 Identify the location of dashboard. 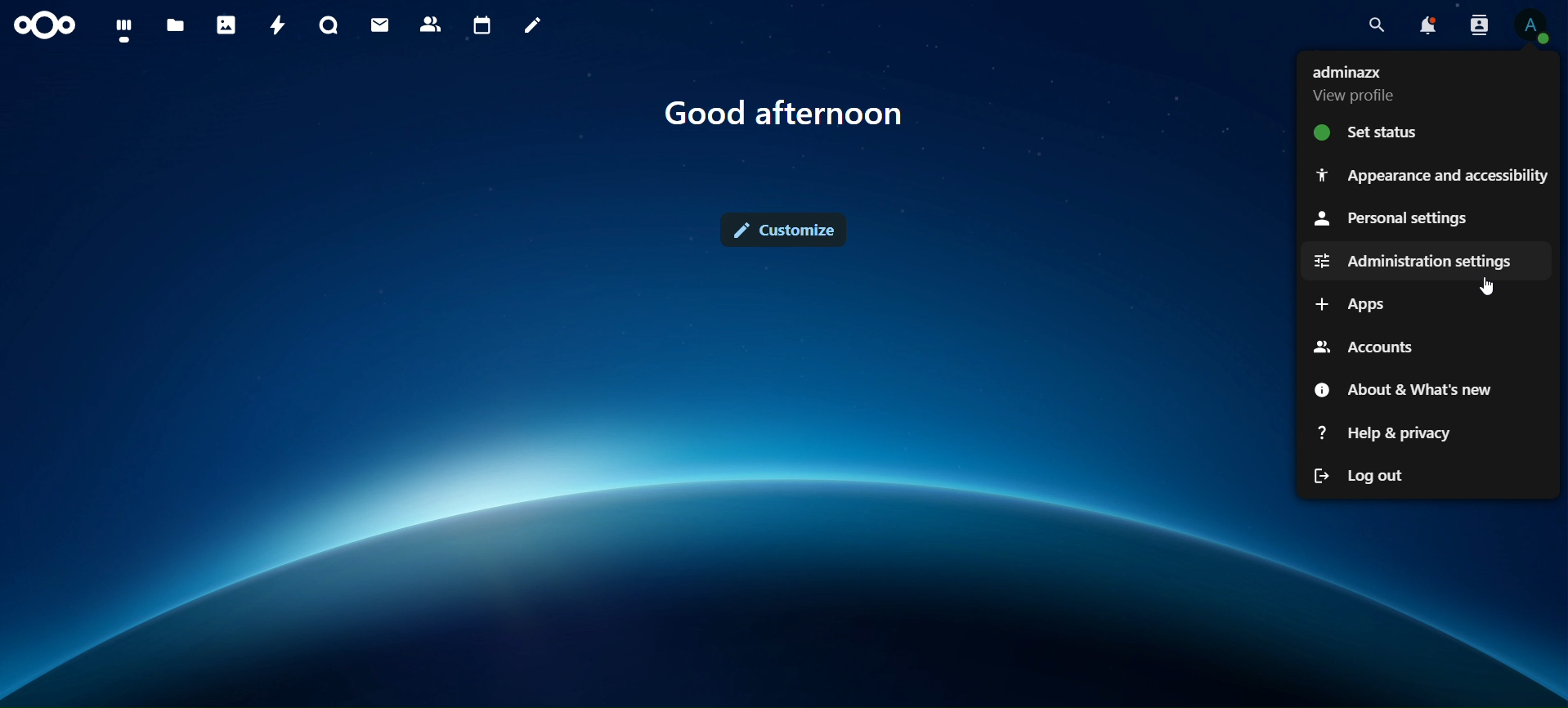
(125, 29).